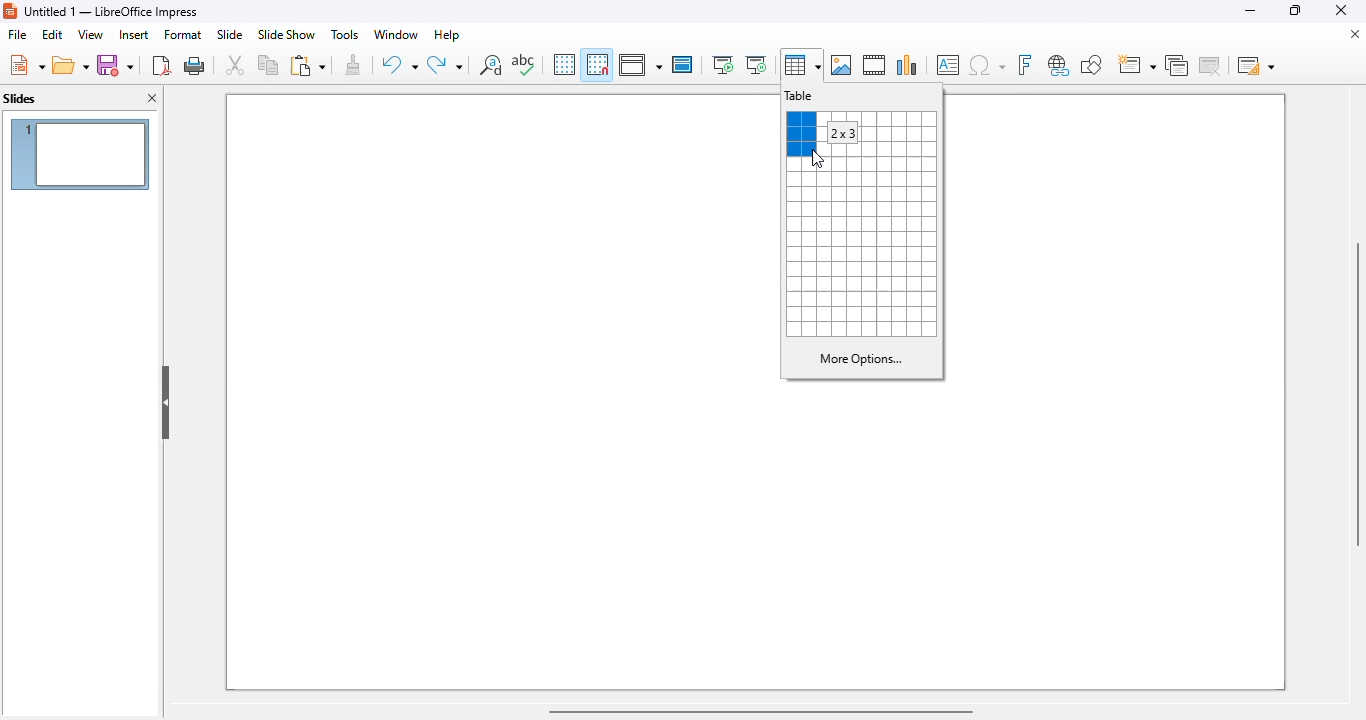  What do you see at coordinates (90, 34) in the screenshot?
I see `view` at bounding box center [90, 34].